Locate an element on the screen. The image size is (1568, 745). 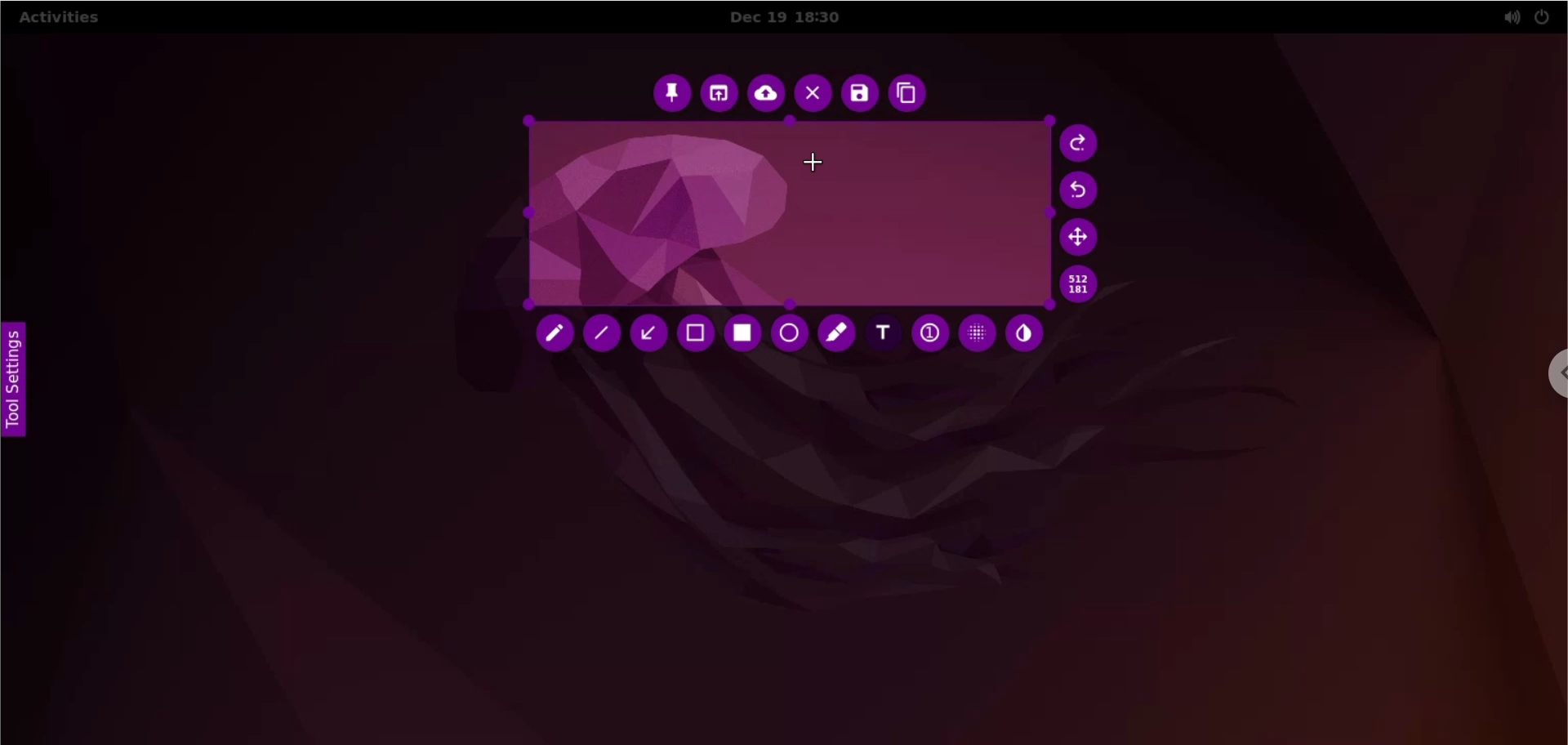
line tool is located at coordinates (602, 335).